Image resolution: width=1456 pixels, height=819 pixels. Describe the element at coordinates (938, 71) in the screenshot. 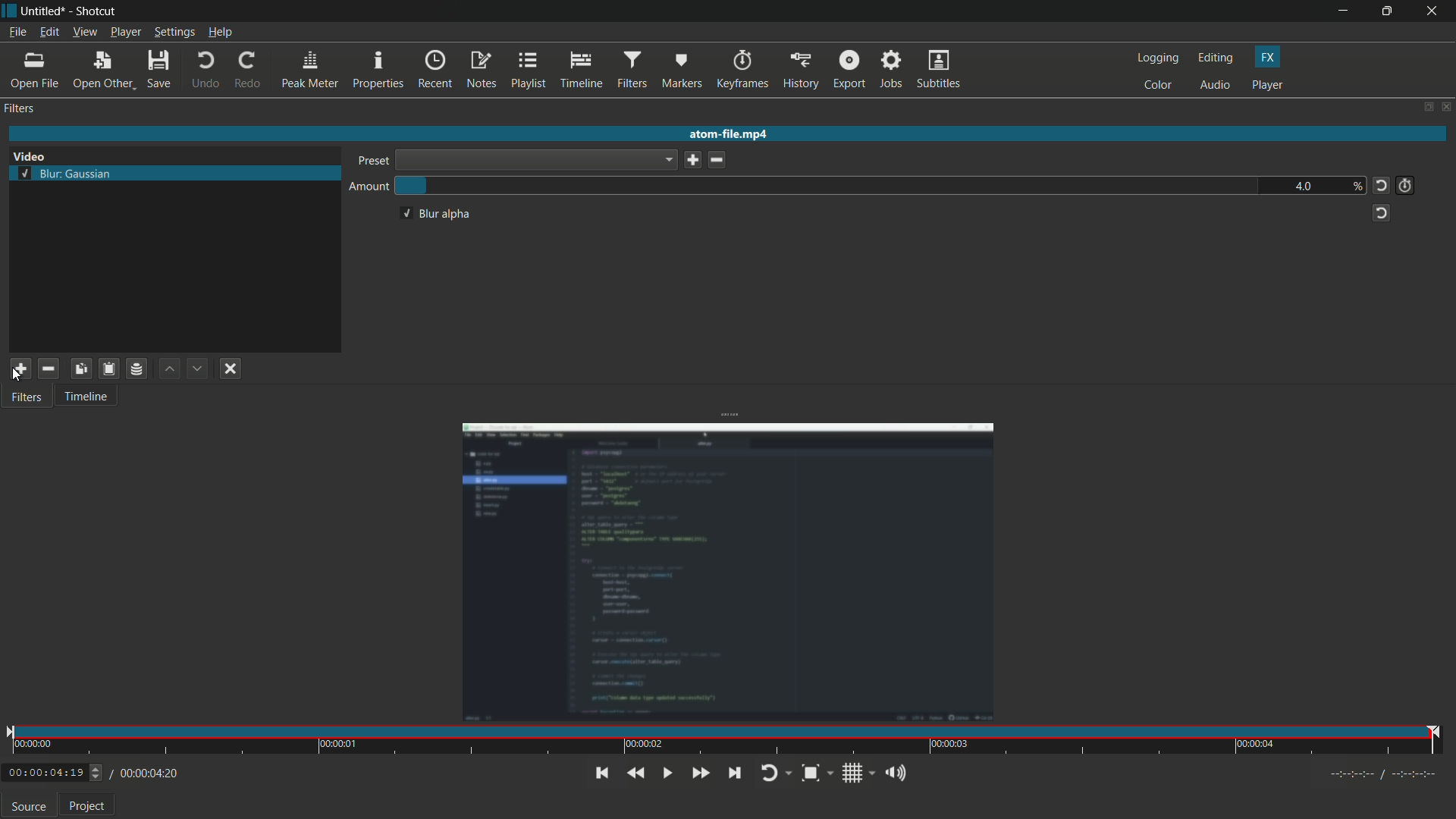

I see `subtitles` at that location.